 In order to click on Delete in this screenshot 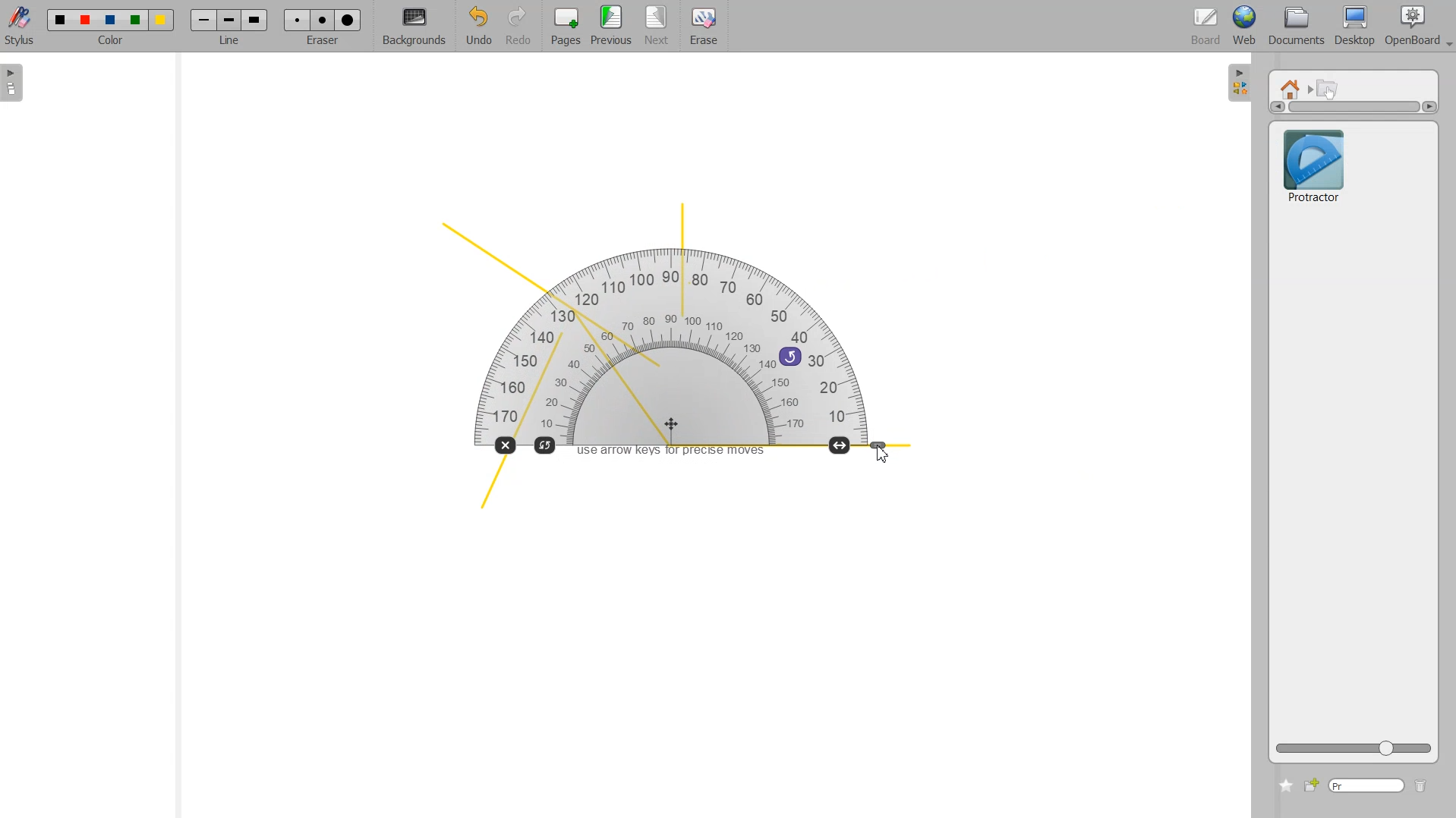, I will do `click(1421, 787)`.